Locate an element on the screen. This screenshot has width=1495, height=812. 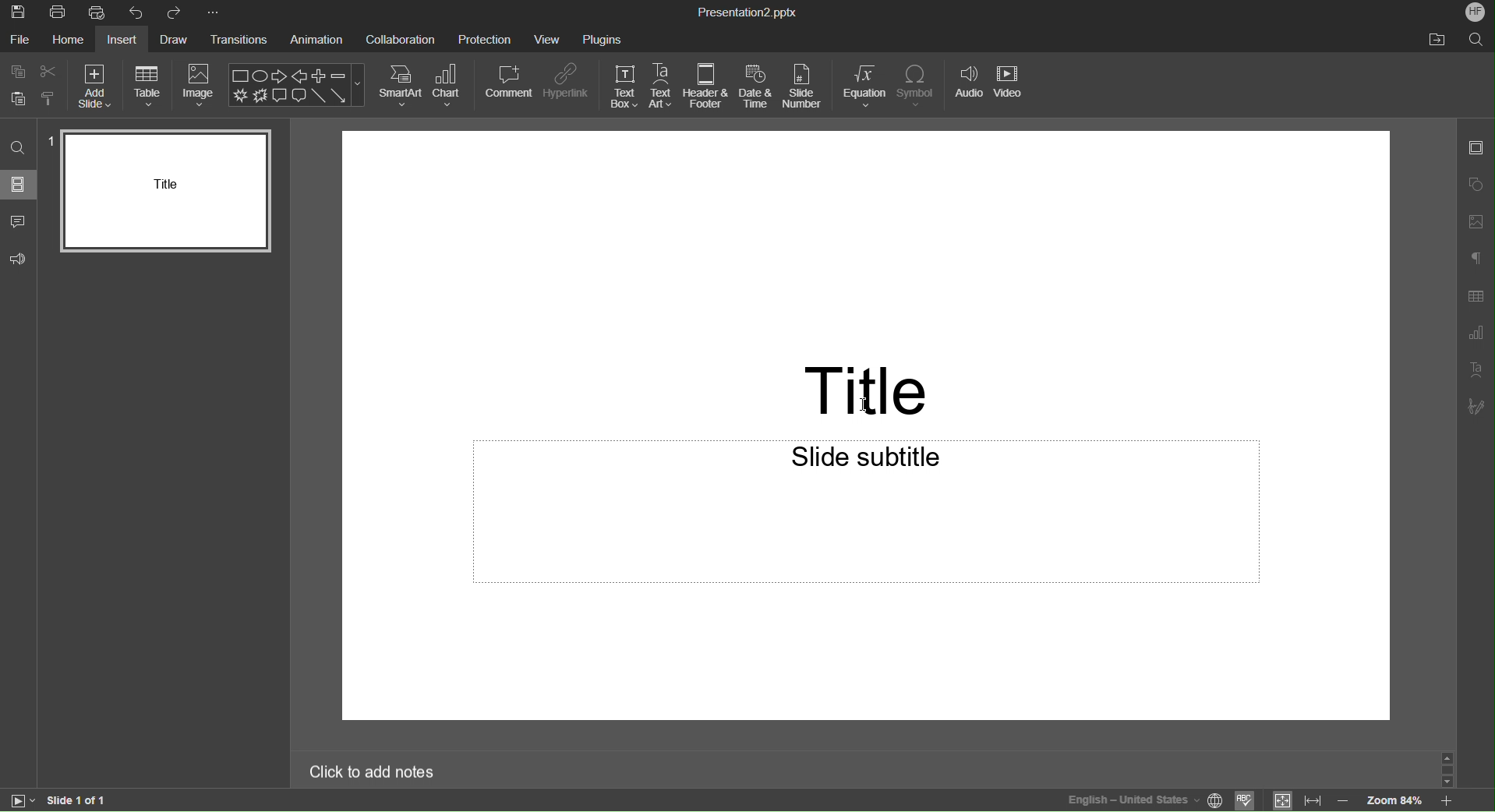
Signature is located at coordinates (1476, 404).